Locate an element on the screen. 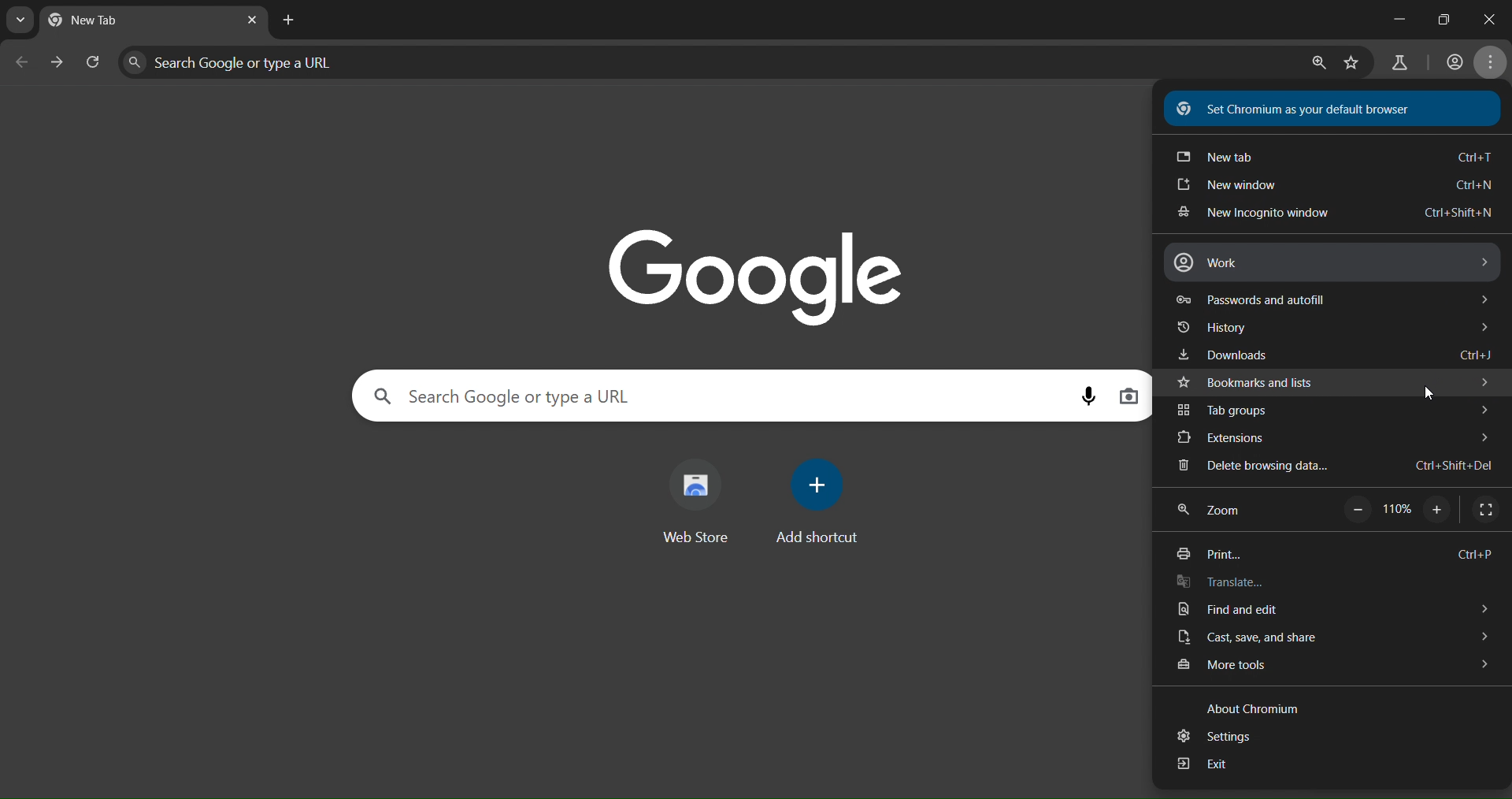 The height and width of the screenshot is (799, 1512). downloads is located at coordinates (1336, 353).